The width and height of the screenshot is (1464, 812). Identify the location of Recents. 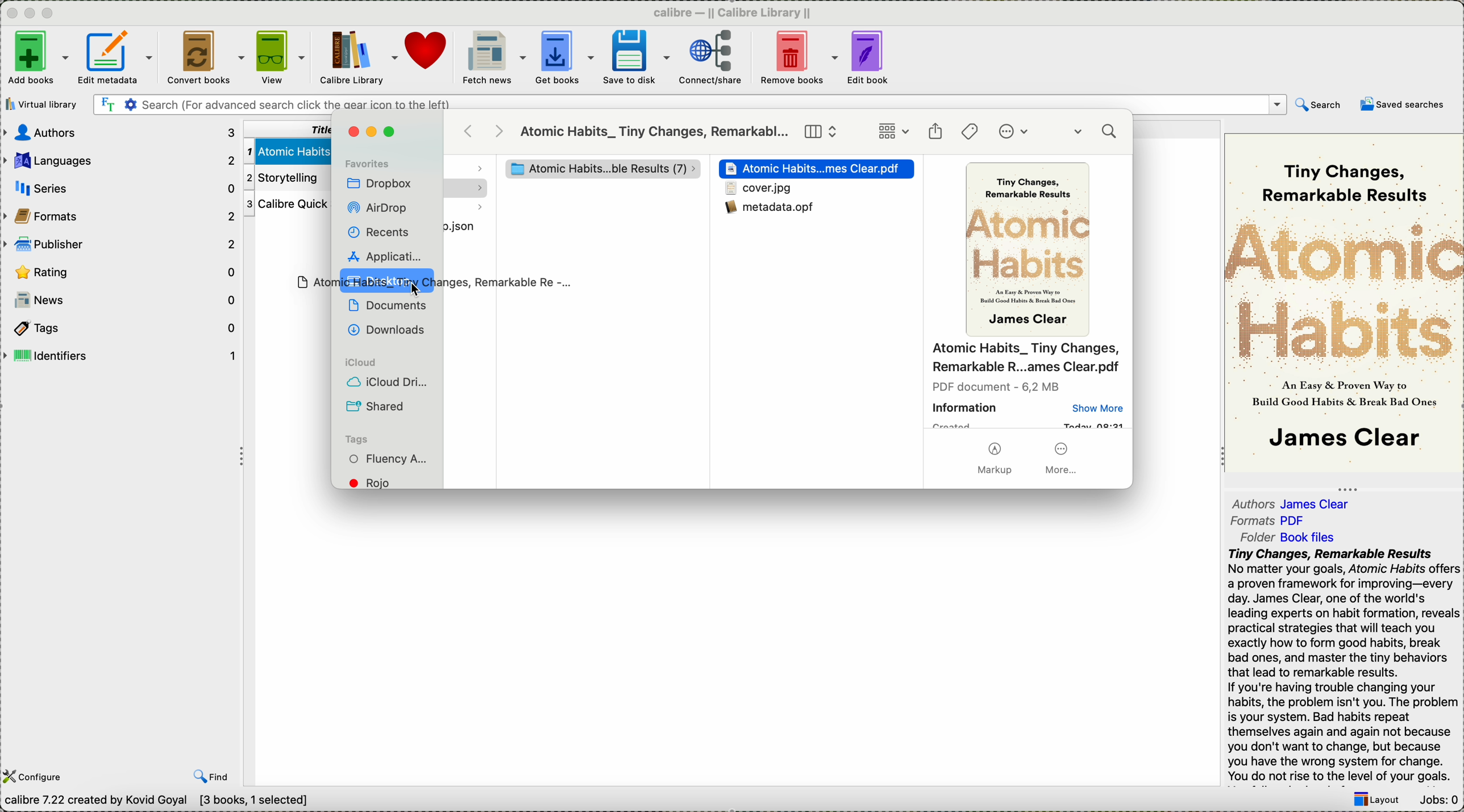
(377, 232).